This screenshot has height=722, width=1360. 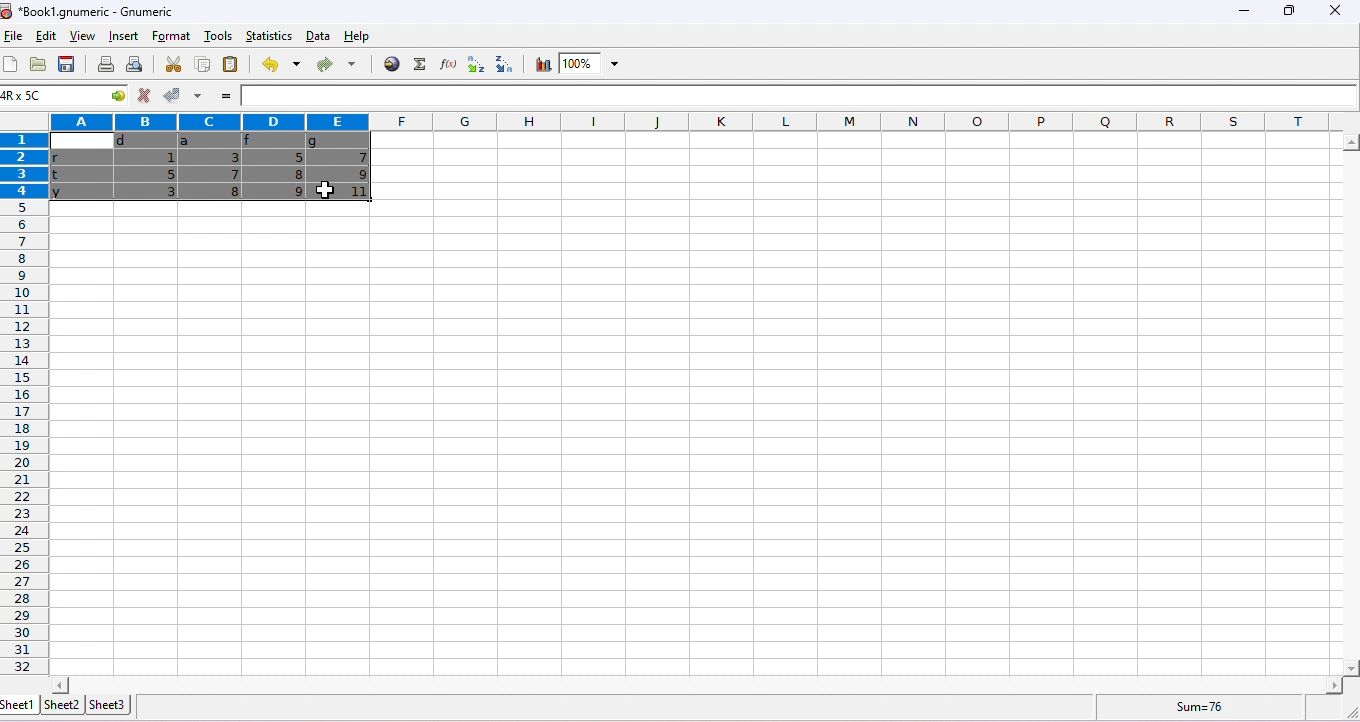 What do you see at coordinates (217, 37) in the screenshot?
I see `tools` at bounding box center [217, 37].